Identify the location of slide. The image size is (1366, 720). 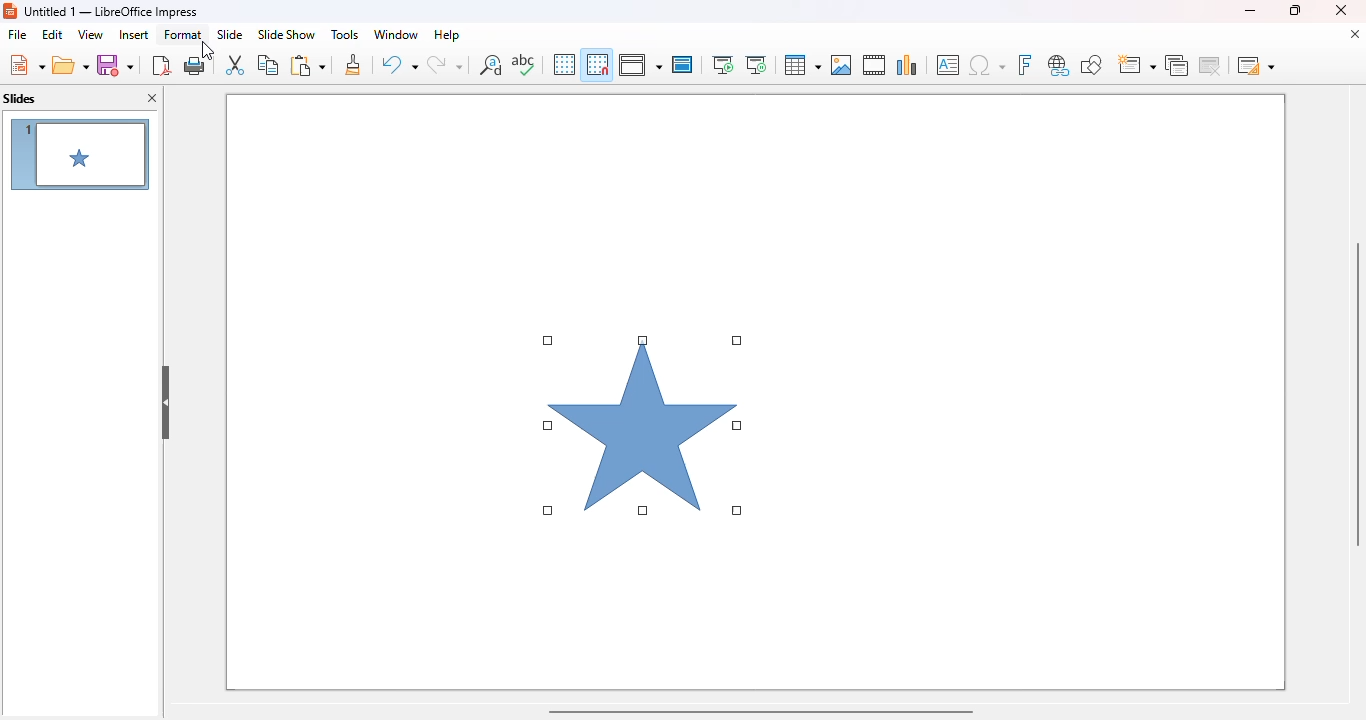
(229, 34).